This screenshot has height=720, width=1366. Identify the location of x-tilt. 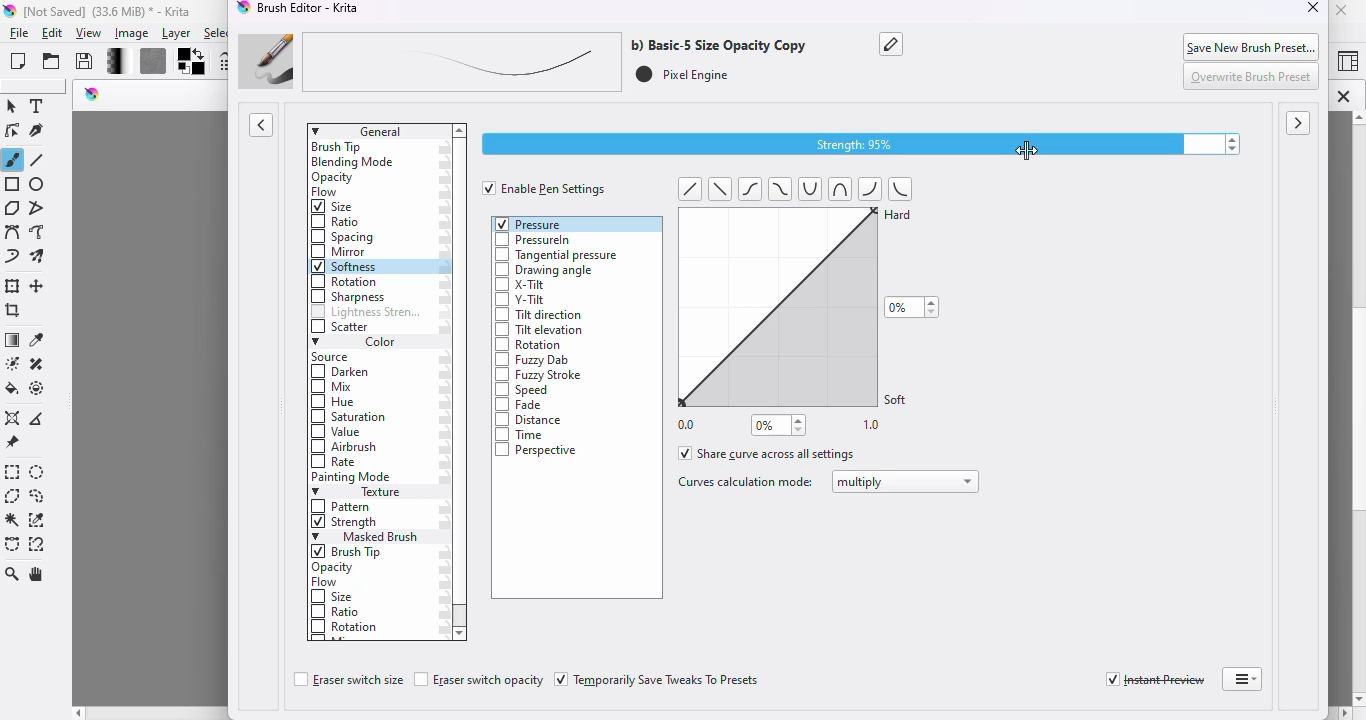
(521, 286).